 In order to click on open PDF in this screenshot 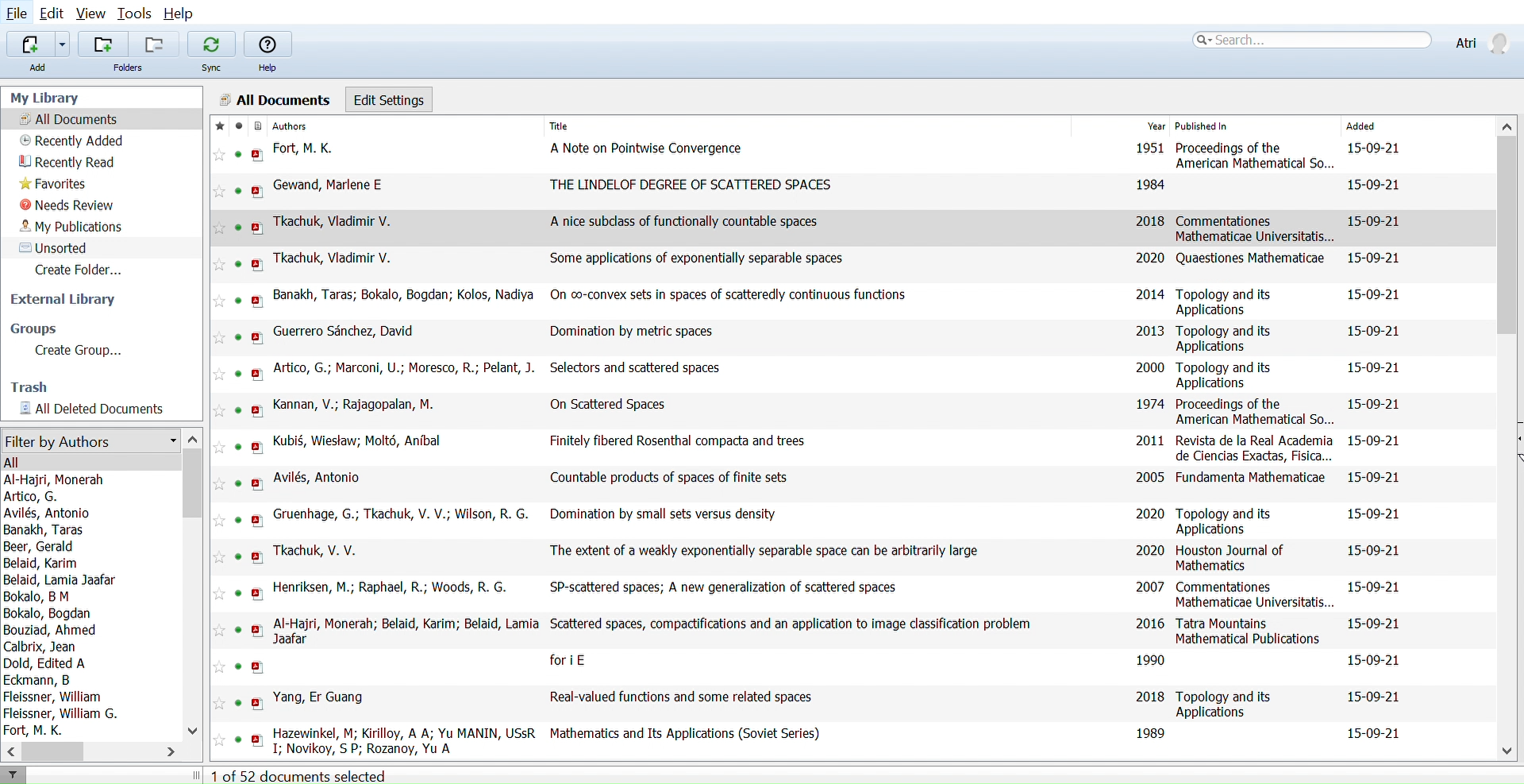, I will do `click(258, 631)`.